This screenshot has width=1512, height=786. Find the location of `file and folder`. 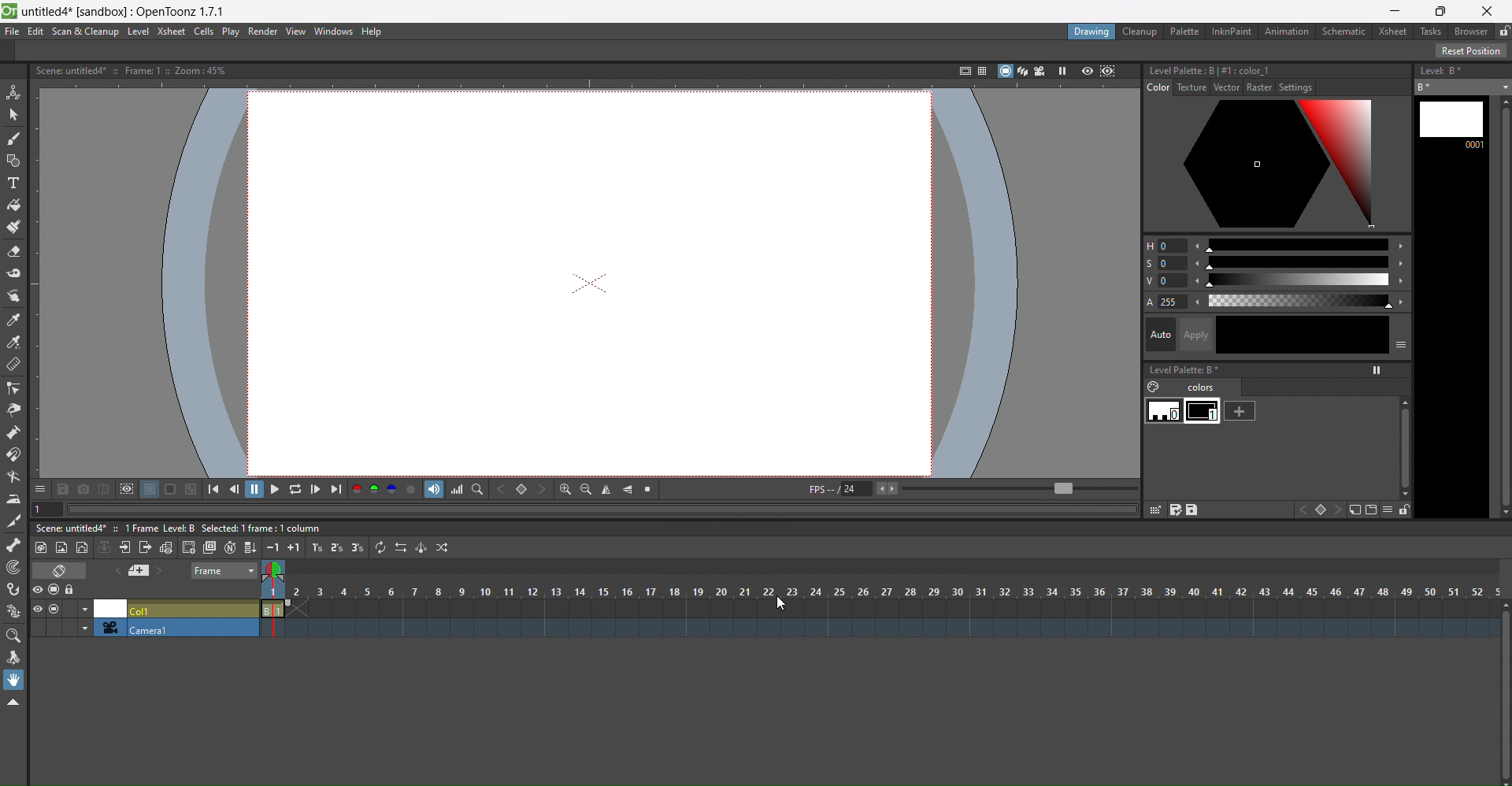

file and folder is located at coordinates (1363, 510).